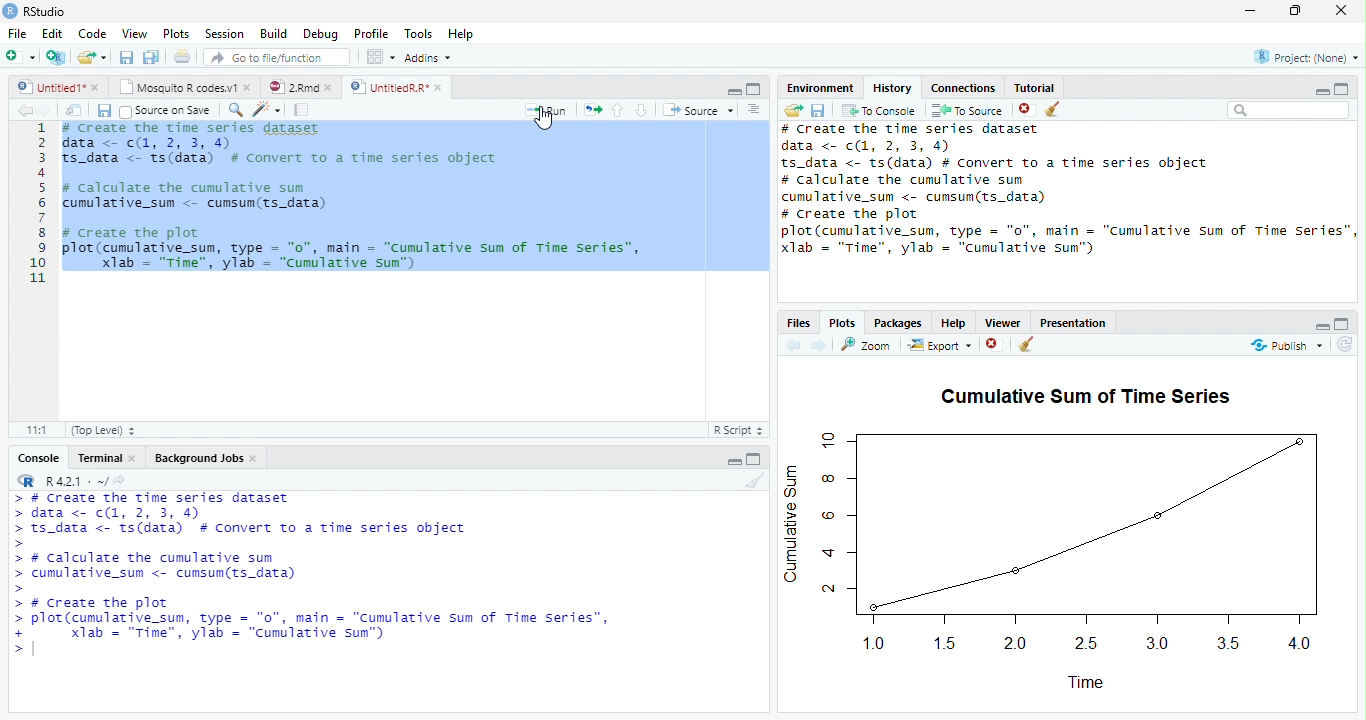  I want to click on Project (None), so click(1307, 57).